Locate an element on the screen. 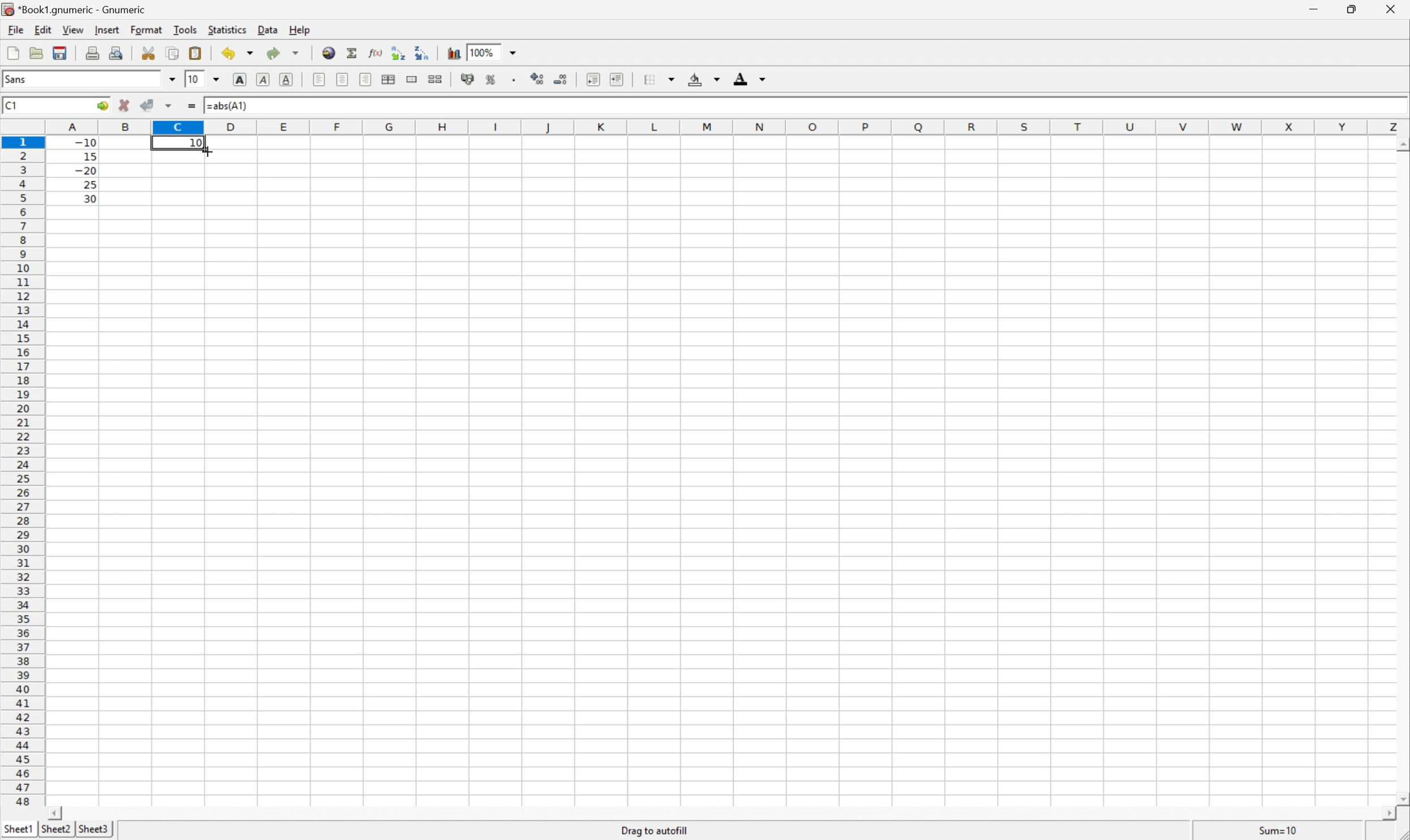  File is located at coordinates (14, 30).